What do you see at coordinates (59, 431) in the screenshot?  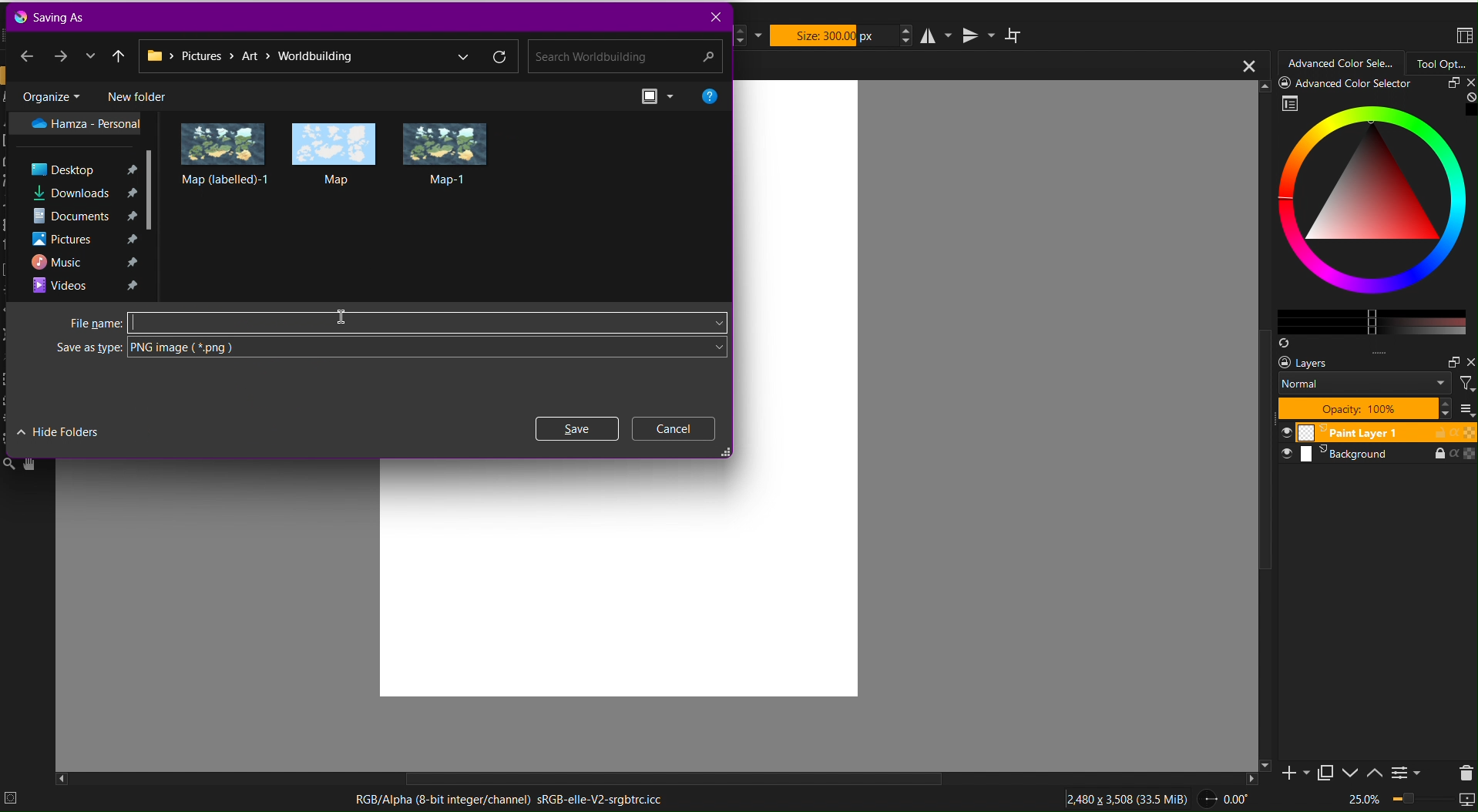 I see `Hide Folders` at bounding box center [59, 431].